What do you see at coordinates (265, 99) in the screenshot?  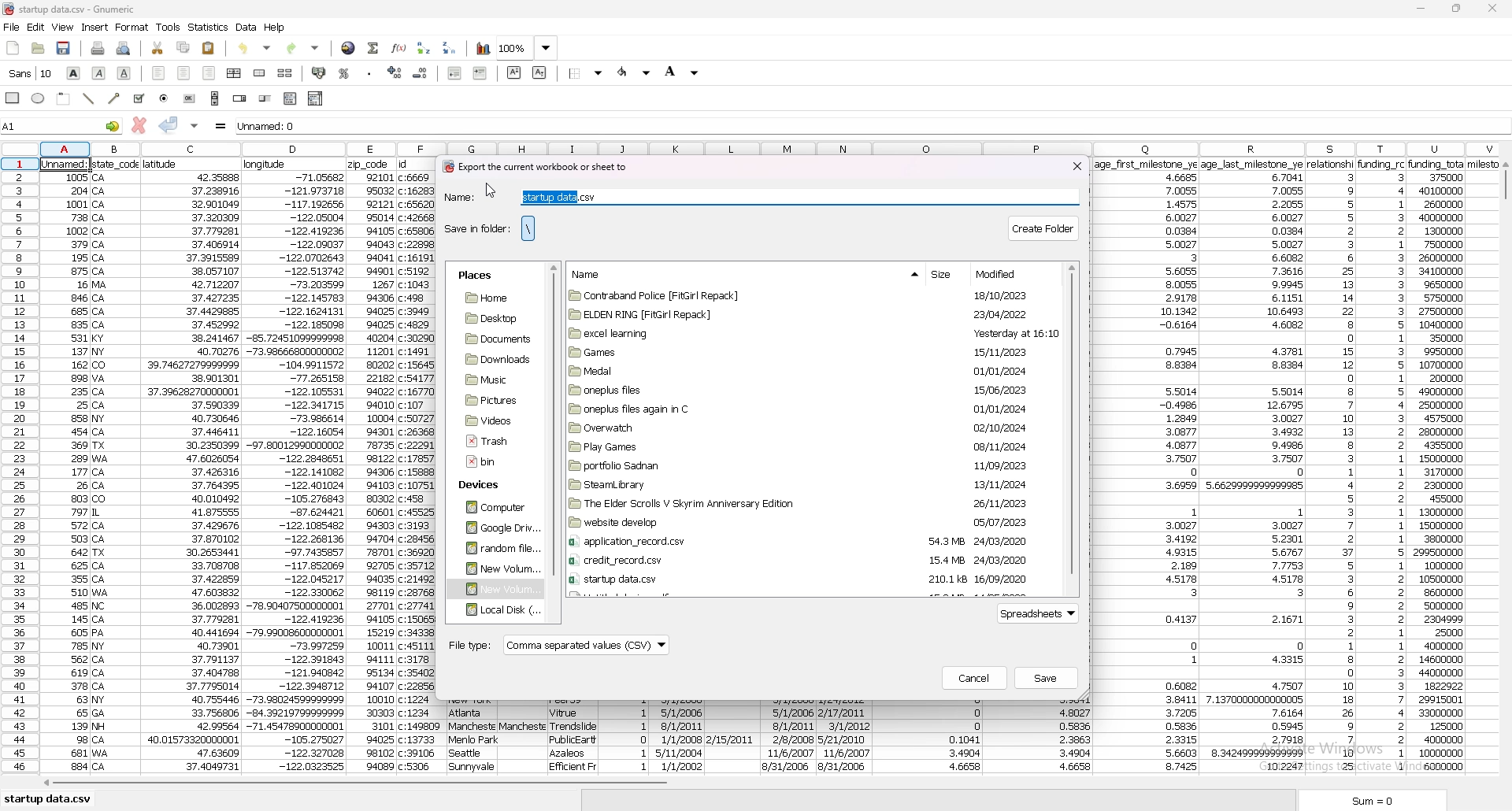 I see `slider` at bounding box center [265, 99].